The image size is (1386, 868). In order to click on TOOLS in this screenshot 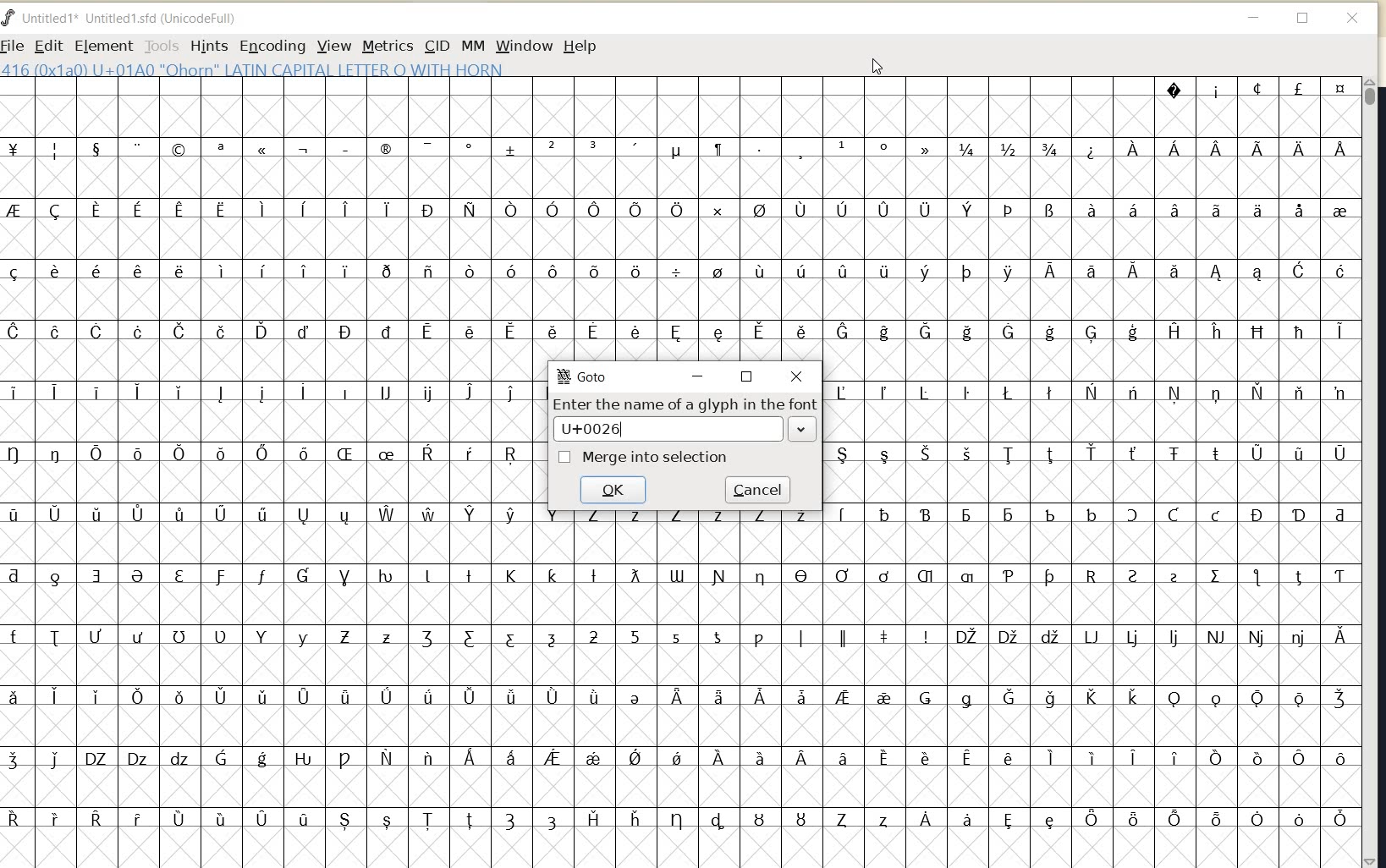, I will do `click(160, 47)`.